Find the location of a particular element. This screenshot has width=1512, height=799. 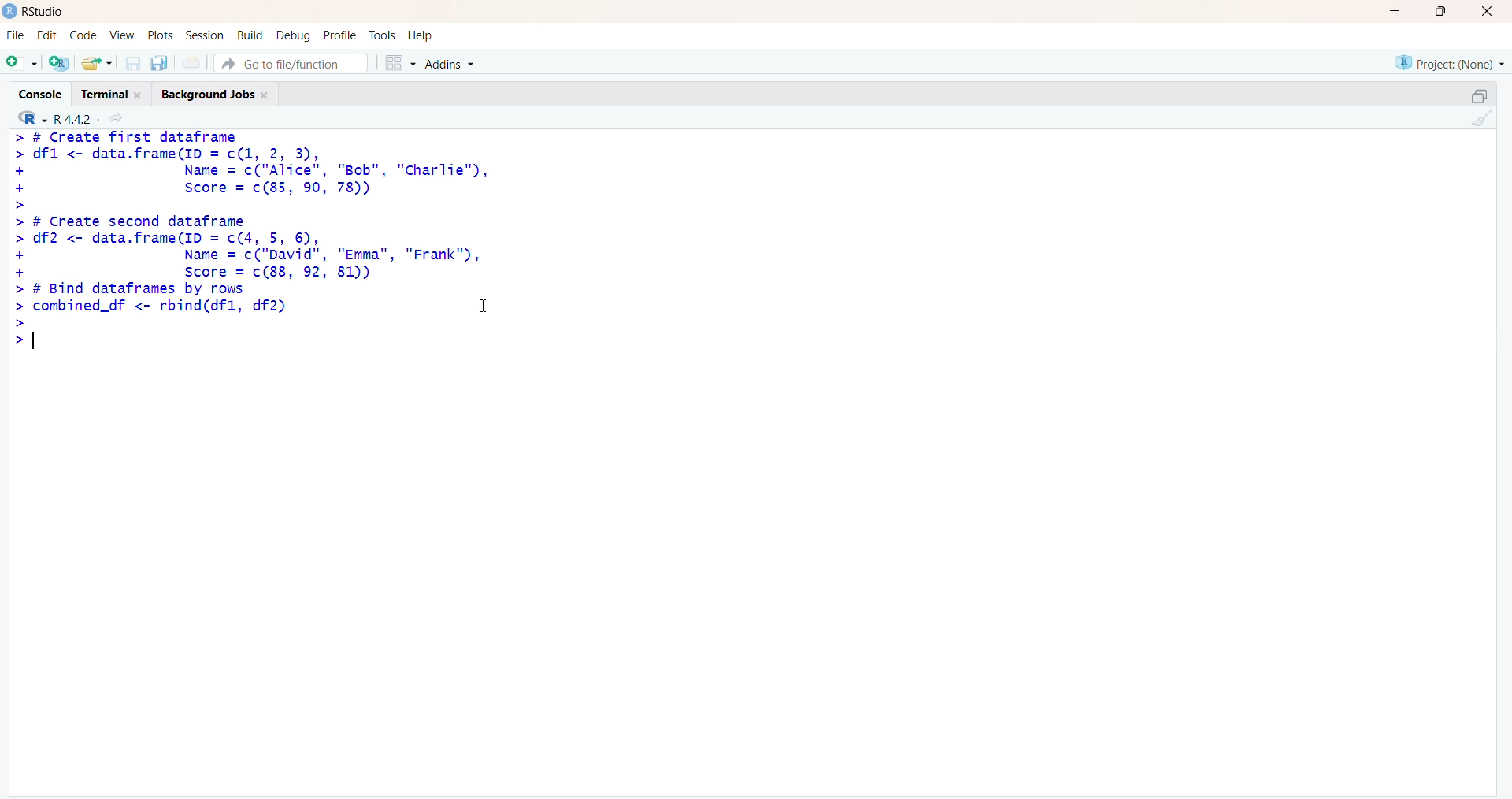

Console is located at coordinates (39, 93).